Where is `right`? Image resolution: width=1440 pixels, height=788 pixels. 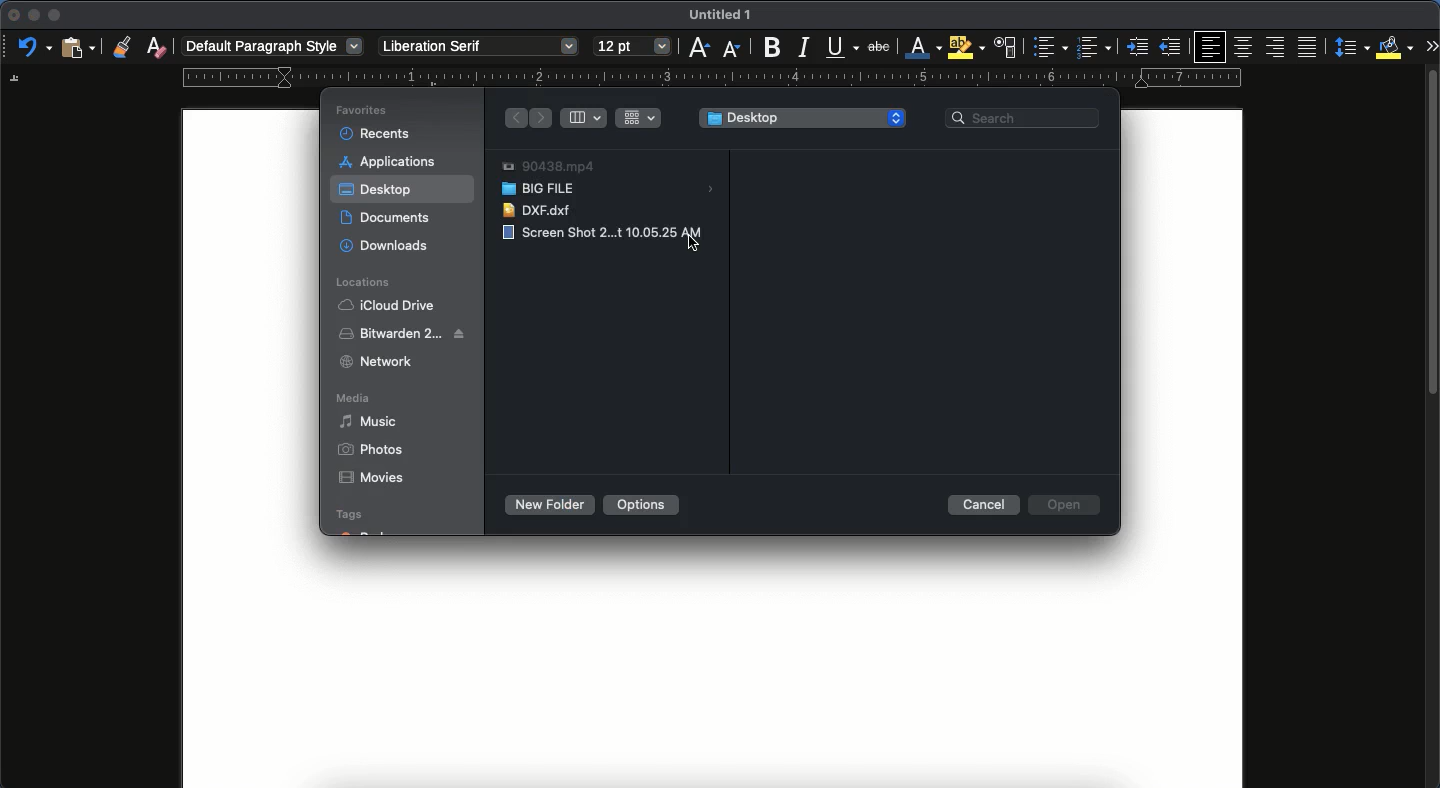
right is located at coordinates (515, 118).